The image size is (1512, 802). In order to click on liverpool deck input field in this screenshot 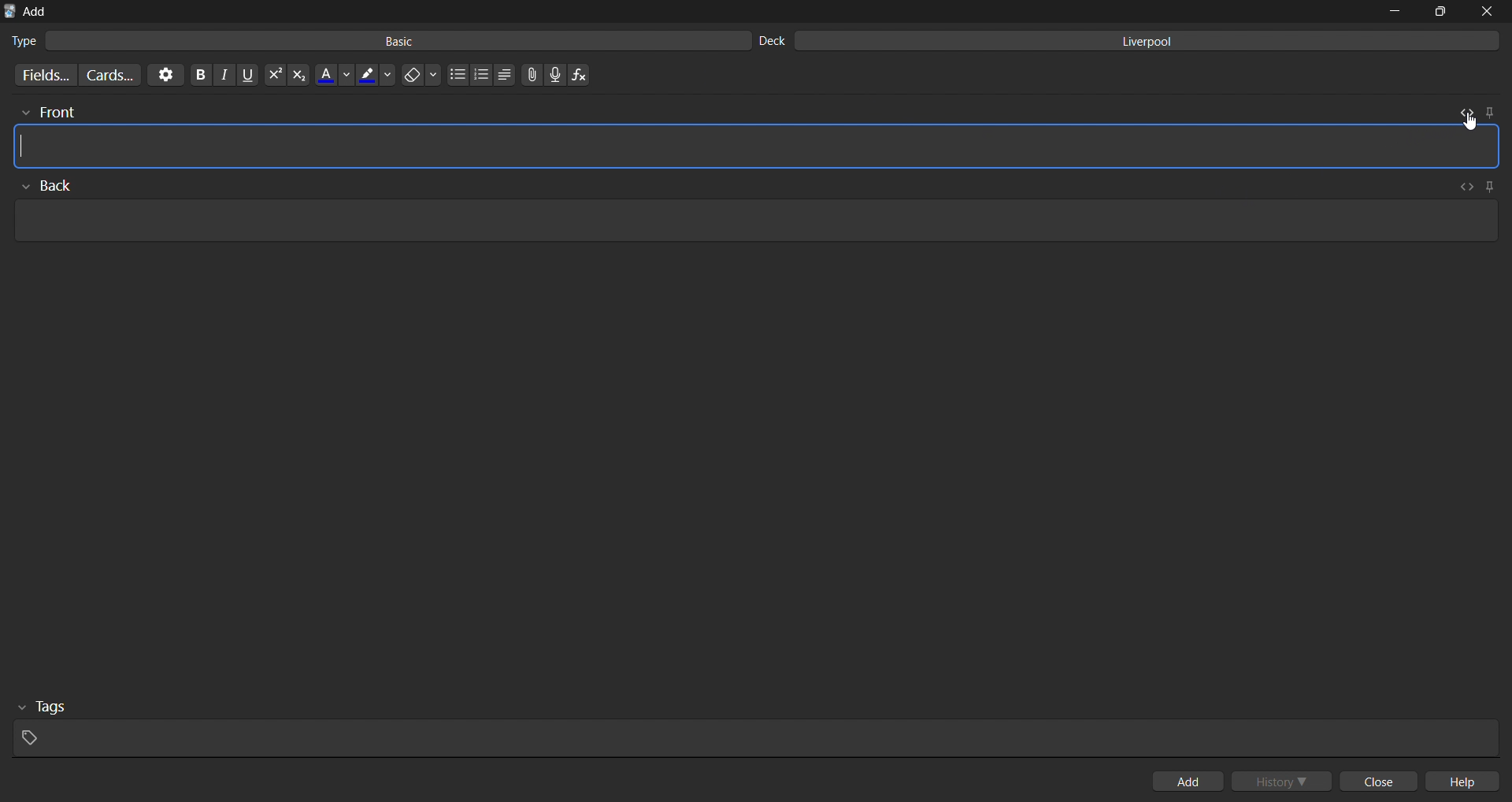, I will do `click(1132, 41)`.